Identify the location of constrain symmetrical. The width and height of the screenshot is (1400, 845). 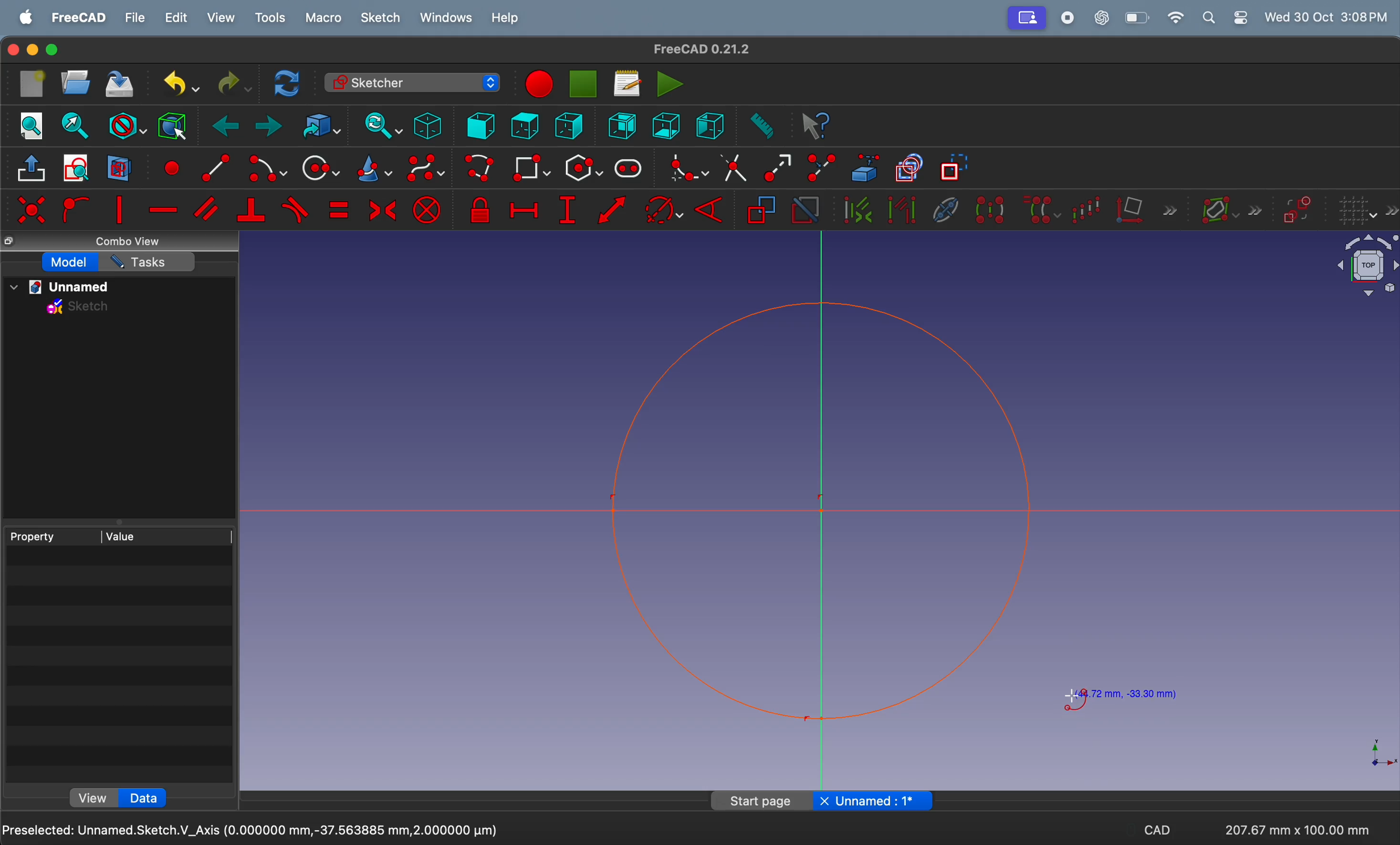
(381, 209).